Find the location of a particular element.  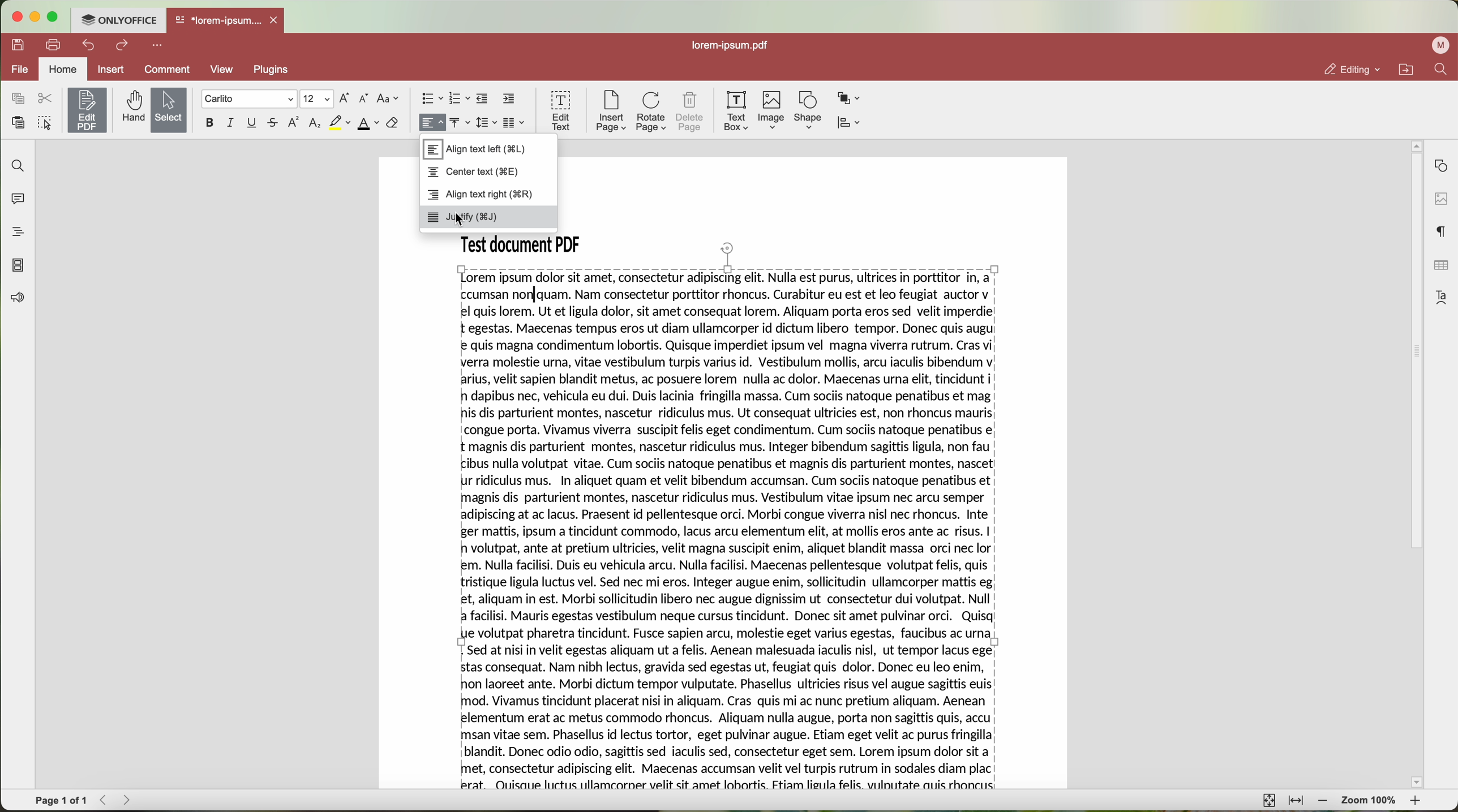

size type is located at coordinates (316, 98).